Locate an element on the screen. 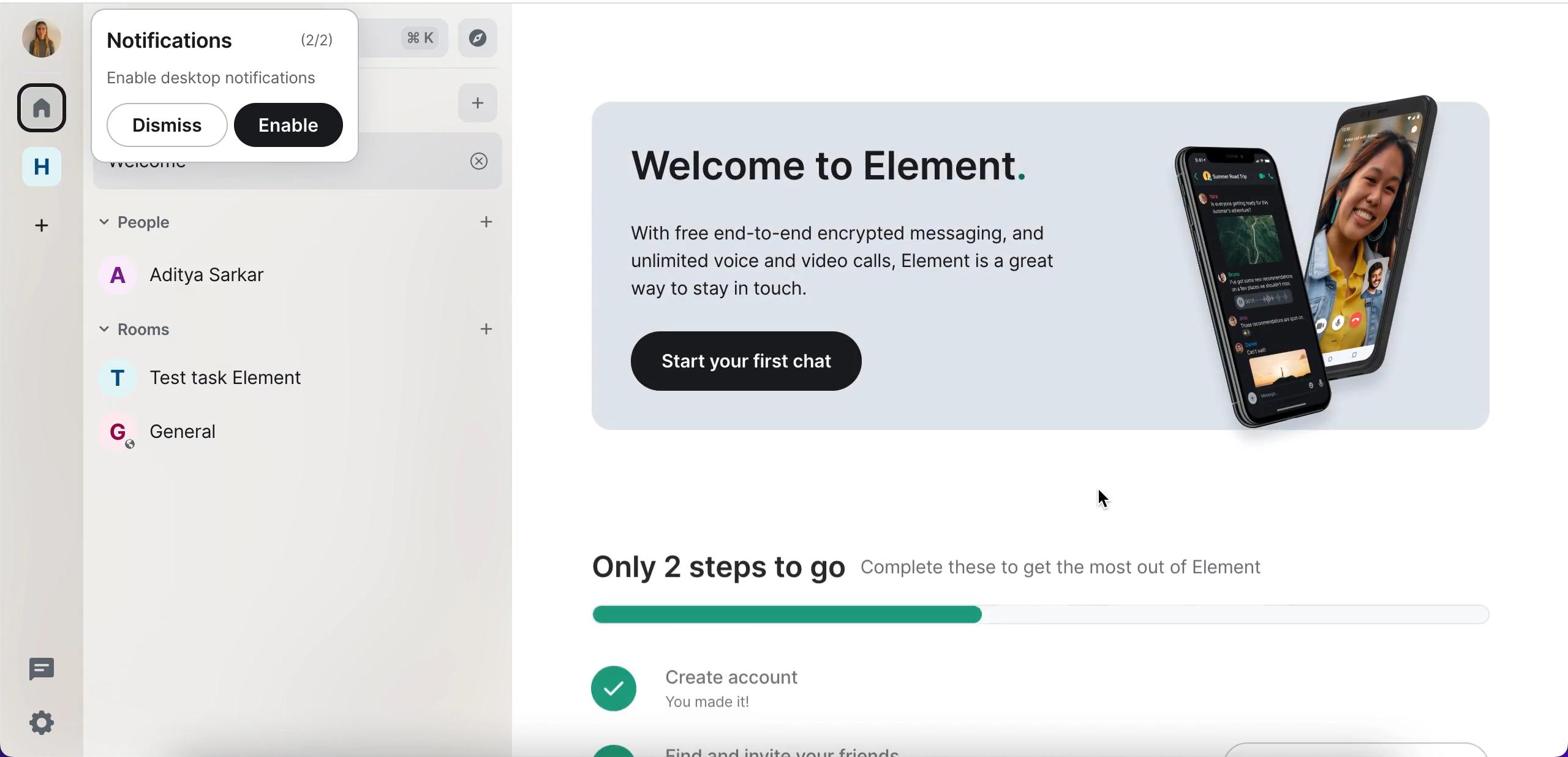 The width and height of the screenshot is (1568, 757). threads is located at coordinates (43, 669).